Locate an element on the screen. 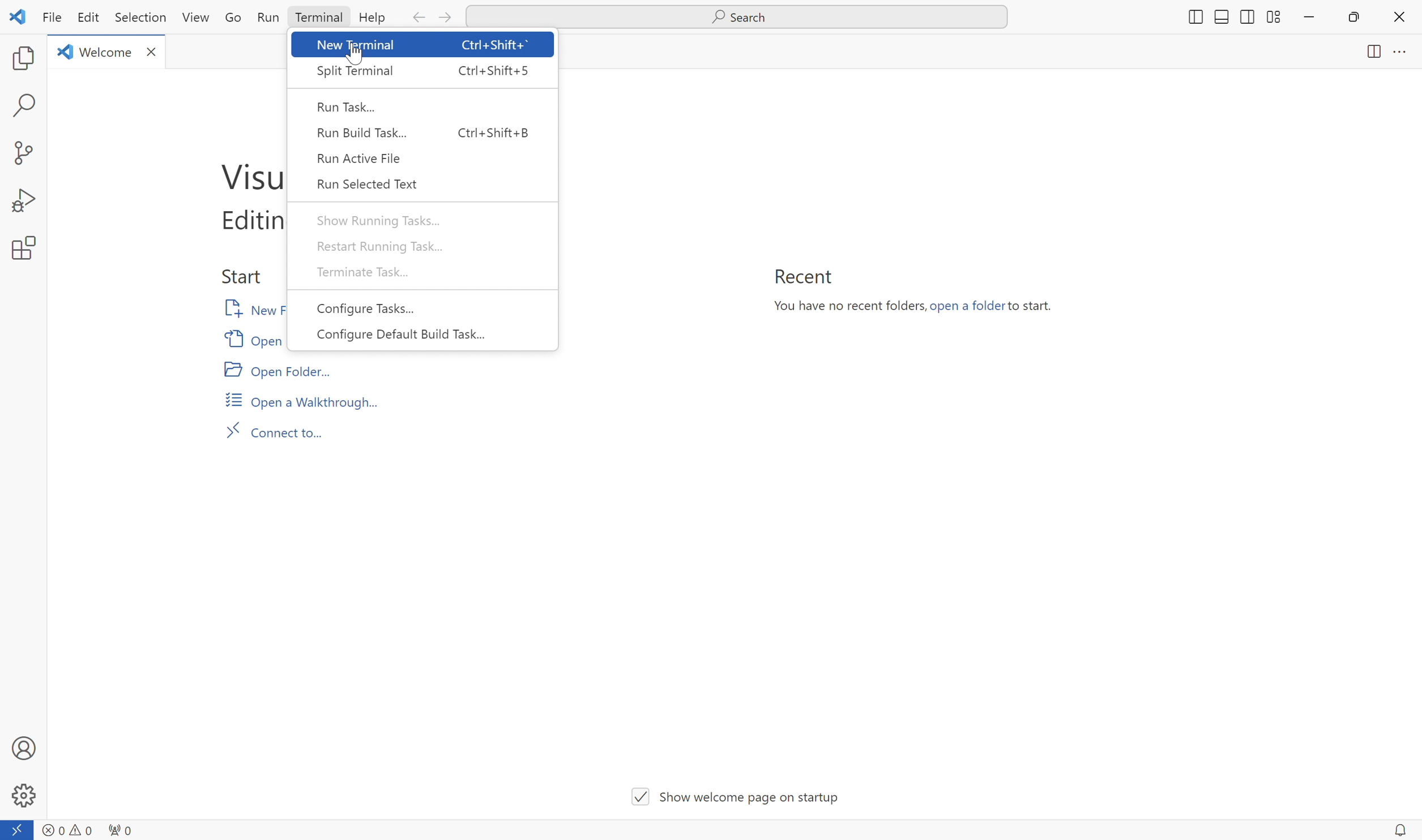 This screenshot has height=840, width=1422. Start is located at coordinates (240, 273).